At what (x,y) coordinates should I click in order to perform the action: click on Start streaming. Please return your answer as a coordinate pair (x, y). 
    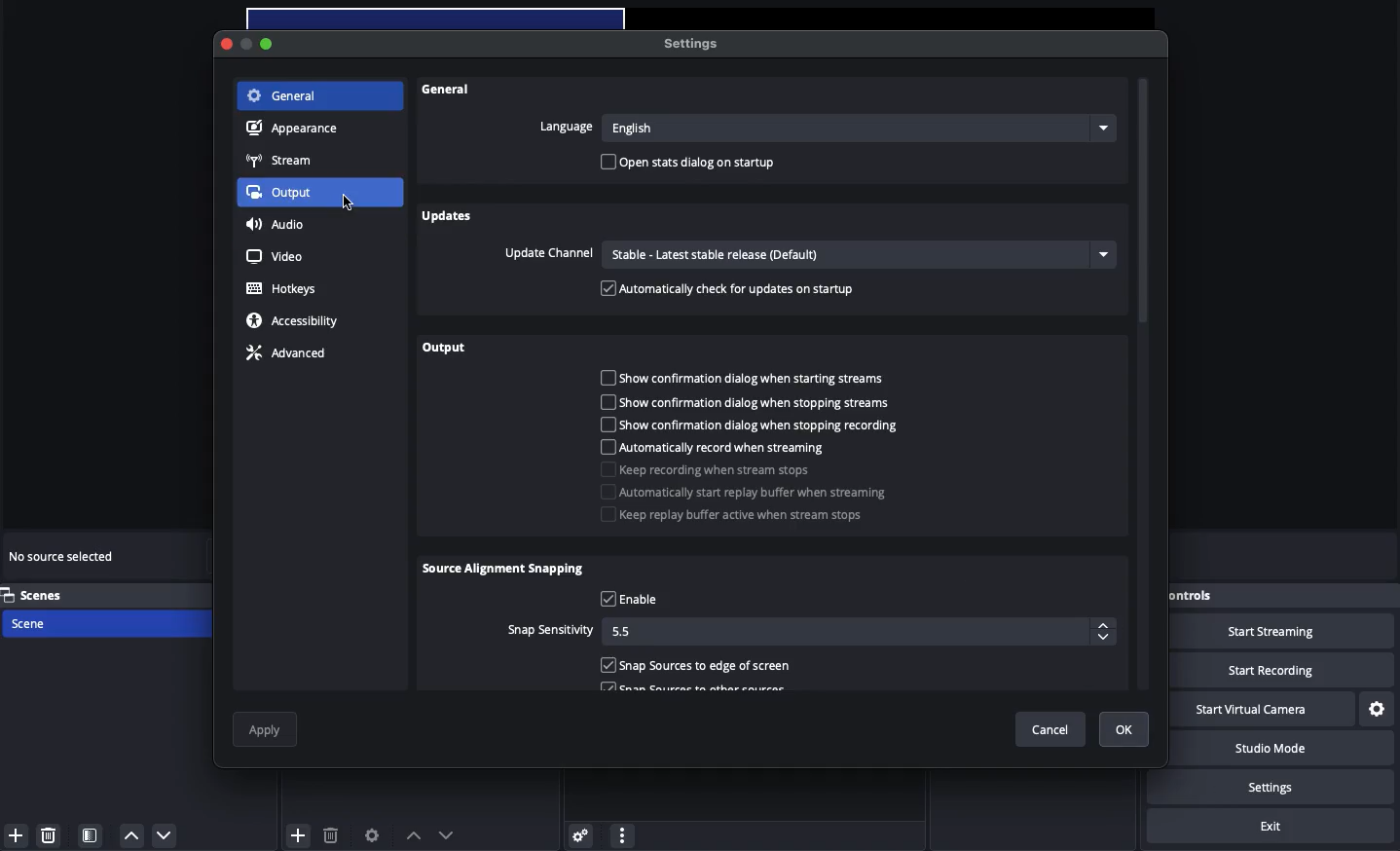
    Looking at the image, I should click on (1269, 632).